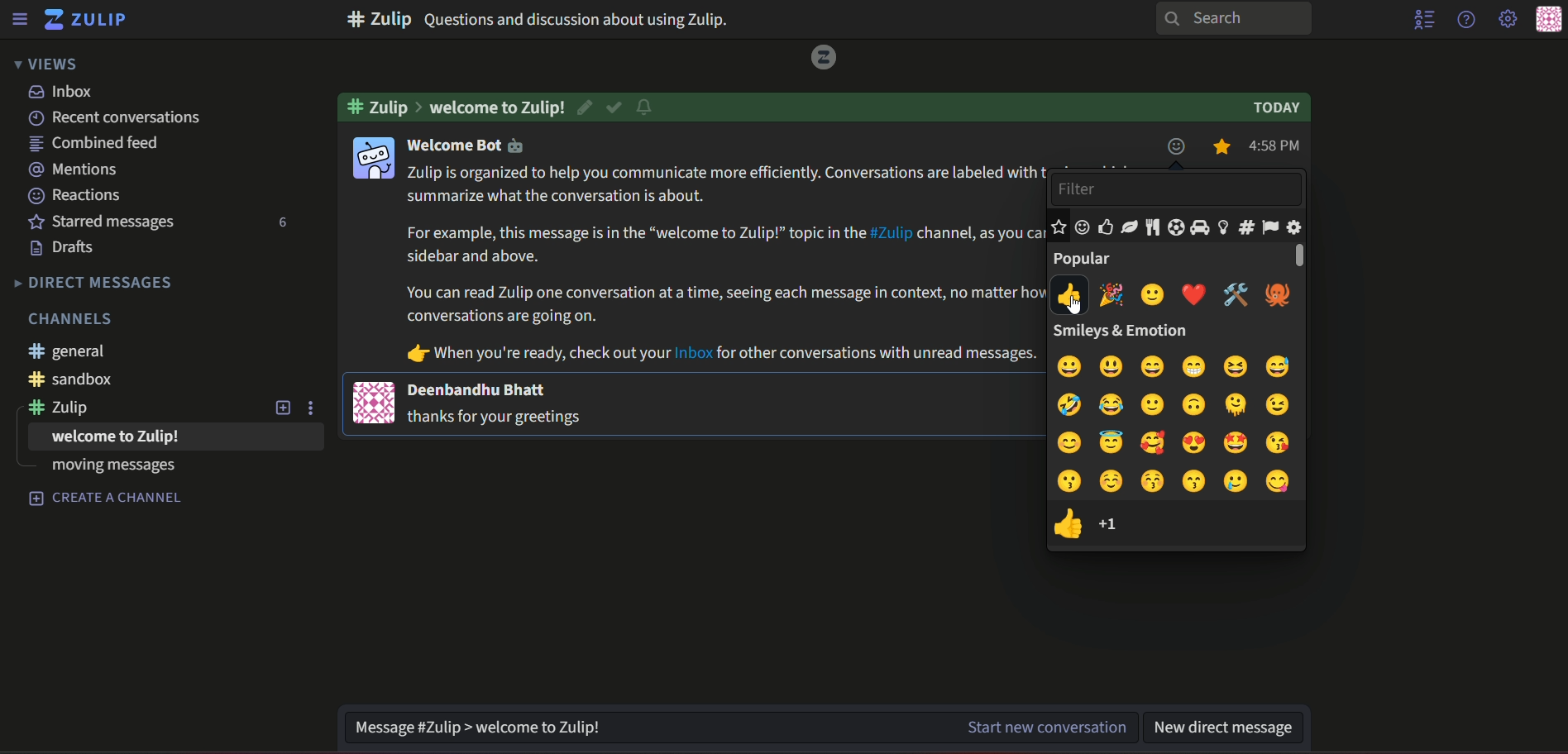 The height and width of the screenshot is (754, 1568). What do you see at coordinates (1226, 146) in the screenshot?
I see `bookmark` at bounding box center [1226, 146].